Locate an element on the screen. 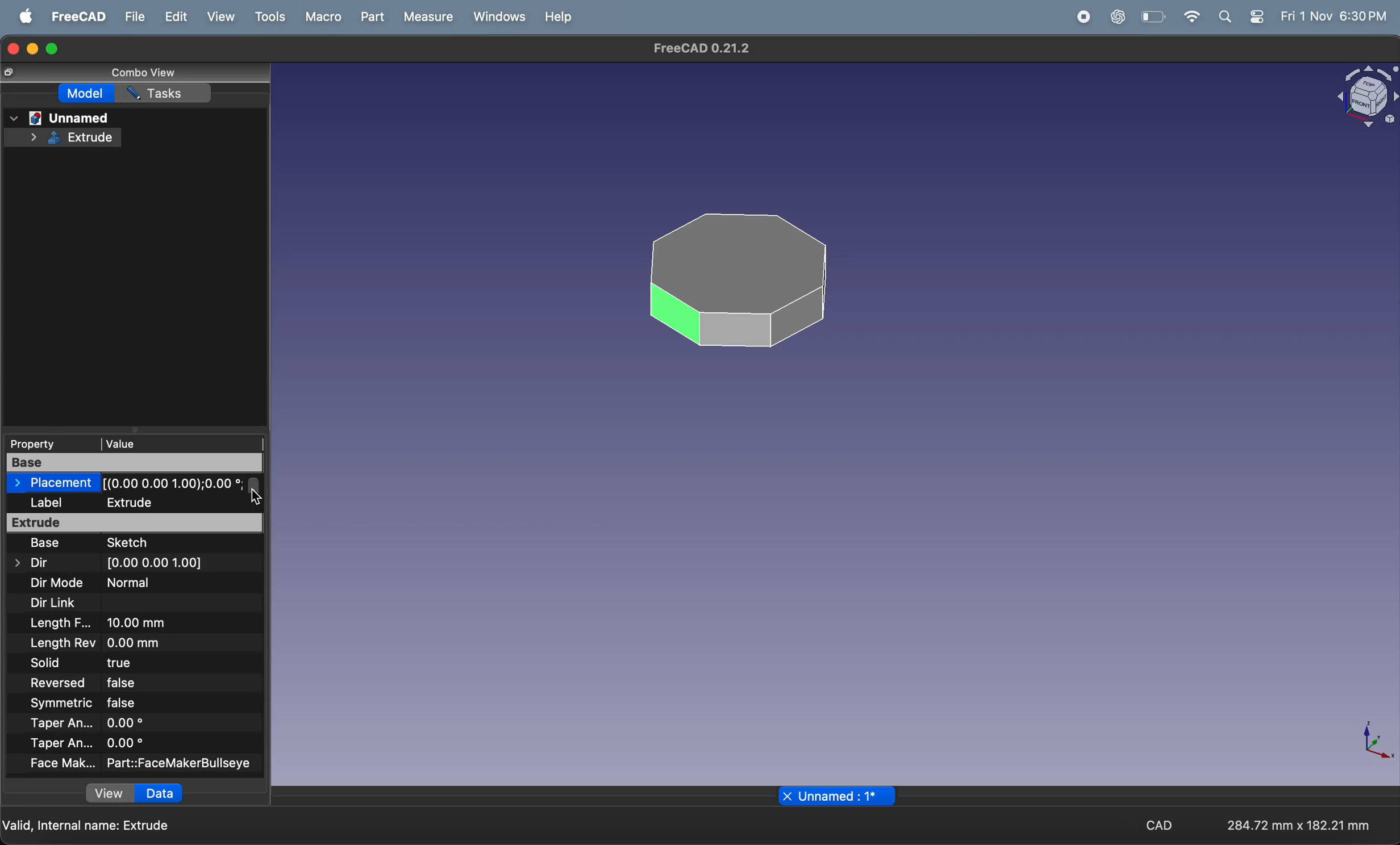  tools is located at coordinates (268, 18).